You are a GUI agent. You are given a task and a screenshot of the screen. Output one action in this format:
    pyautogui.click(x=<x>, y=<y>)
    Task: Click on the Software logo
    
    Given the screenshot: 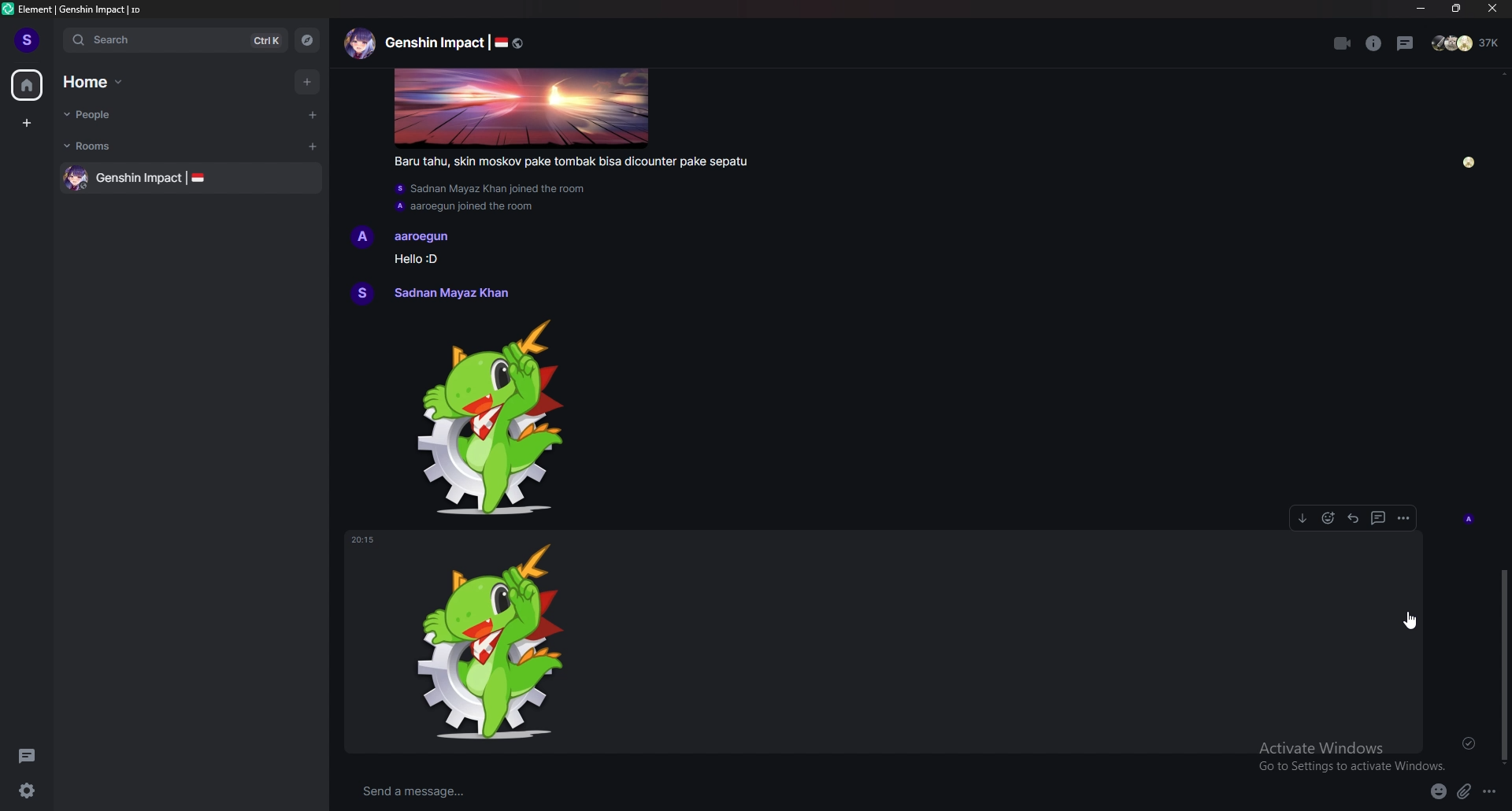 What is the action you would take?
    pyautogui.click(x=8, y=9)
    